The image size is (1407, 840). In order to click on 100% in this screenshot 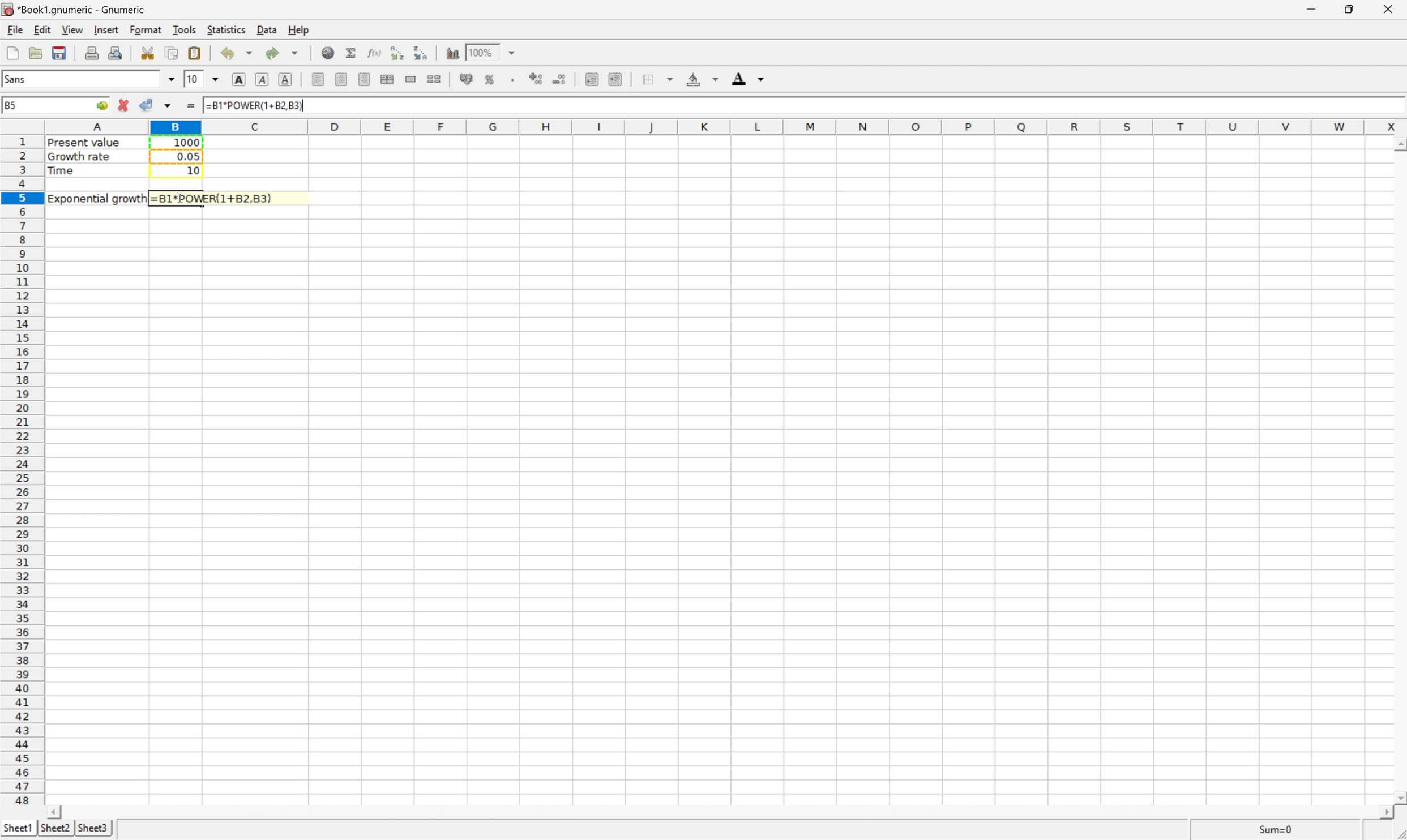, I will do `click(483, 53)`.